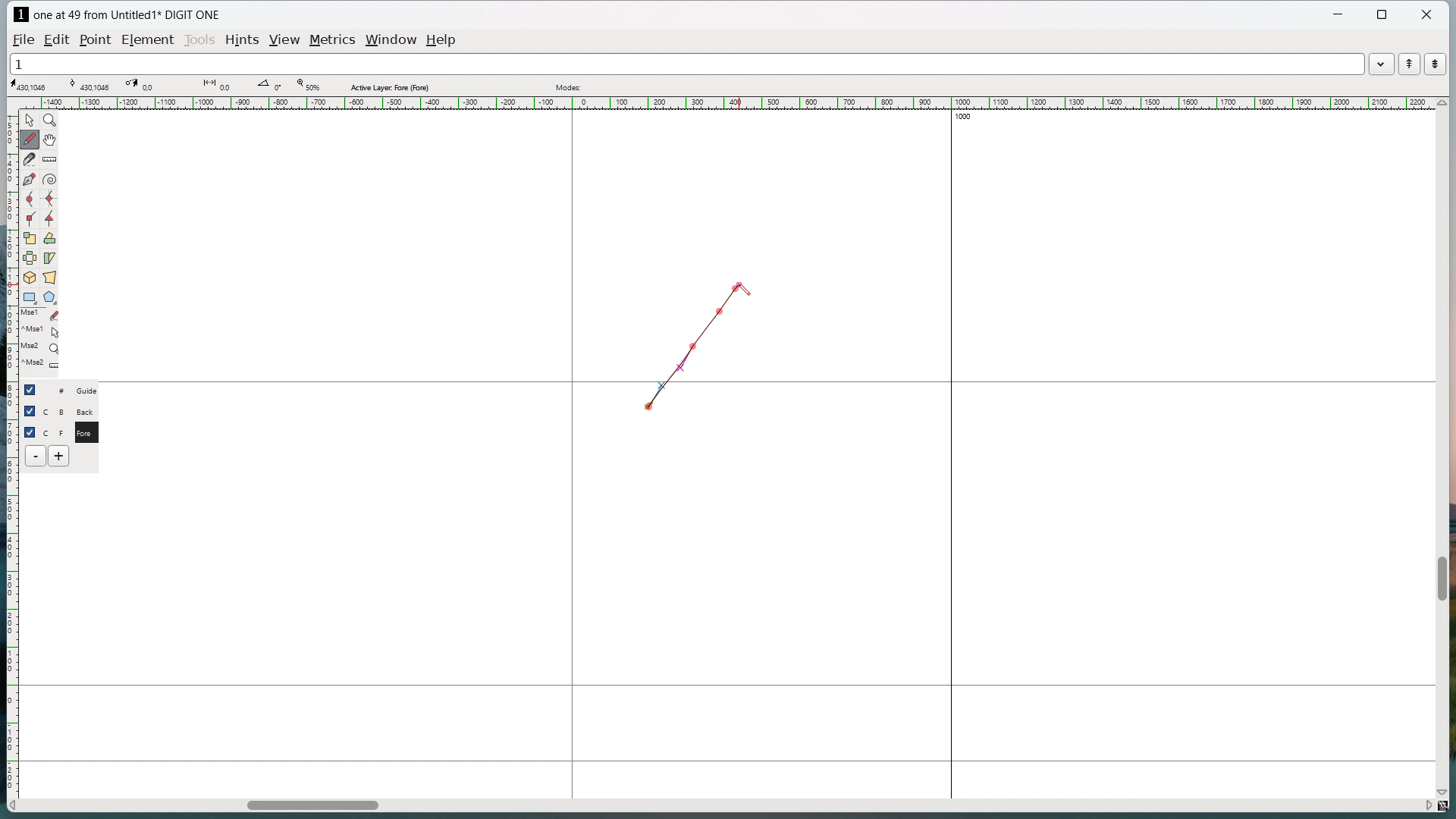 The width and height of the screenshot is (1456, 819). Describe the element at coordinates (1446, 789) in the screenshot. I see `scroll down` at that location.